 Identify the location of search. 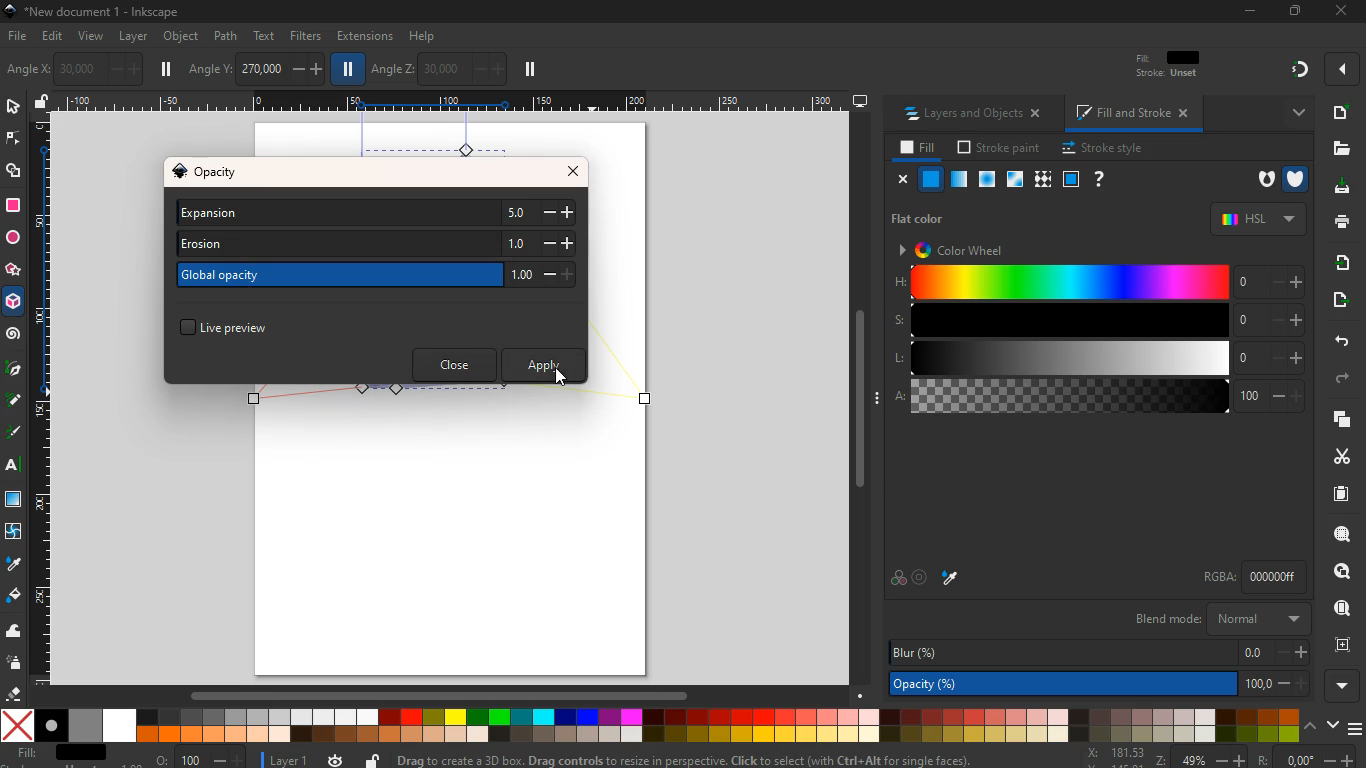
(1338, 536).